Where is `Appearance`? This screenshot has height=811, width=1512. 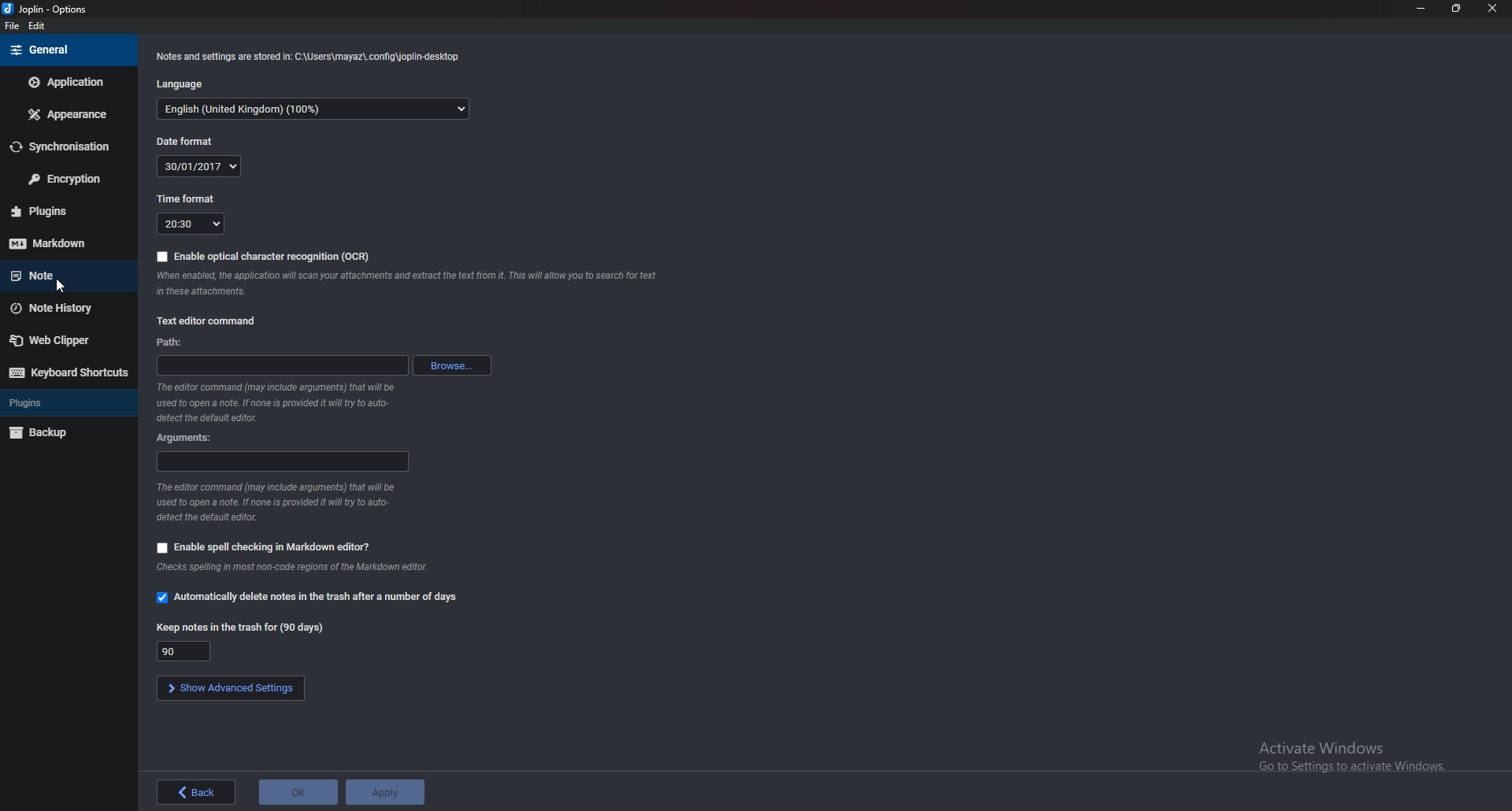
Appearance is located at coordinates (65, 117).